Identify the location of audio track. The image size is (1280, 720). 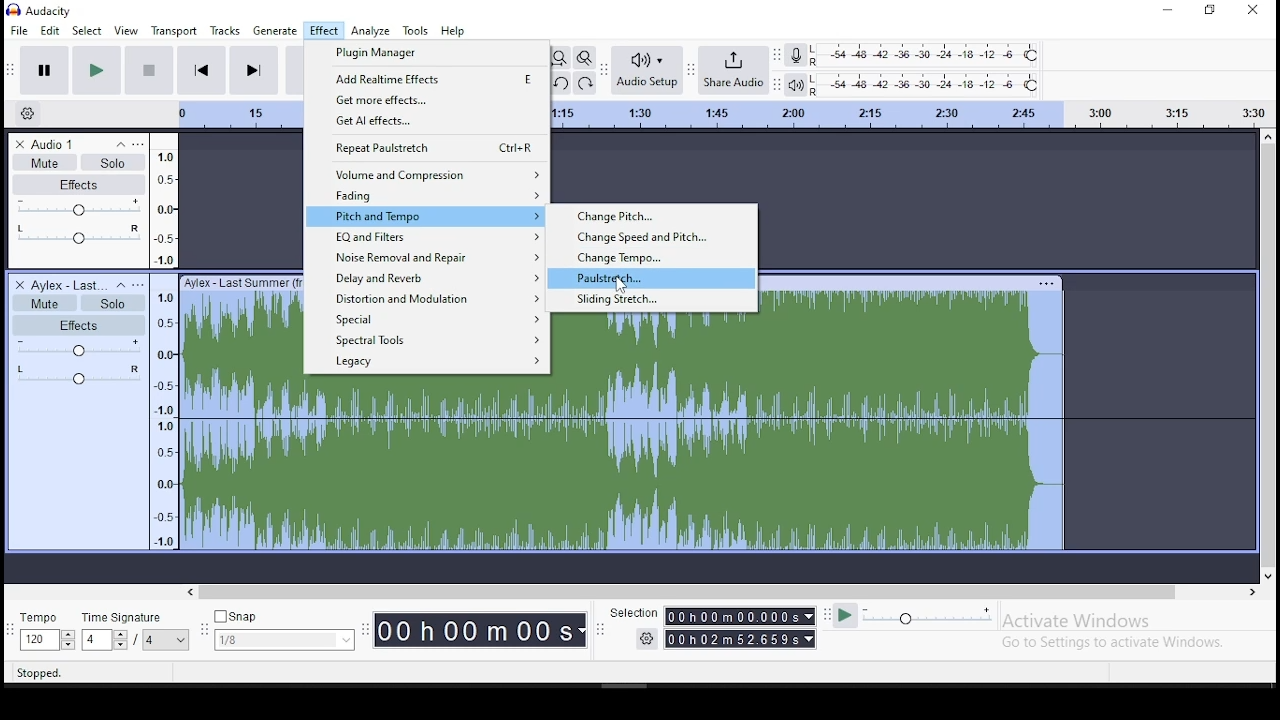
(242, 411).